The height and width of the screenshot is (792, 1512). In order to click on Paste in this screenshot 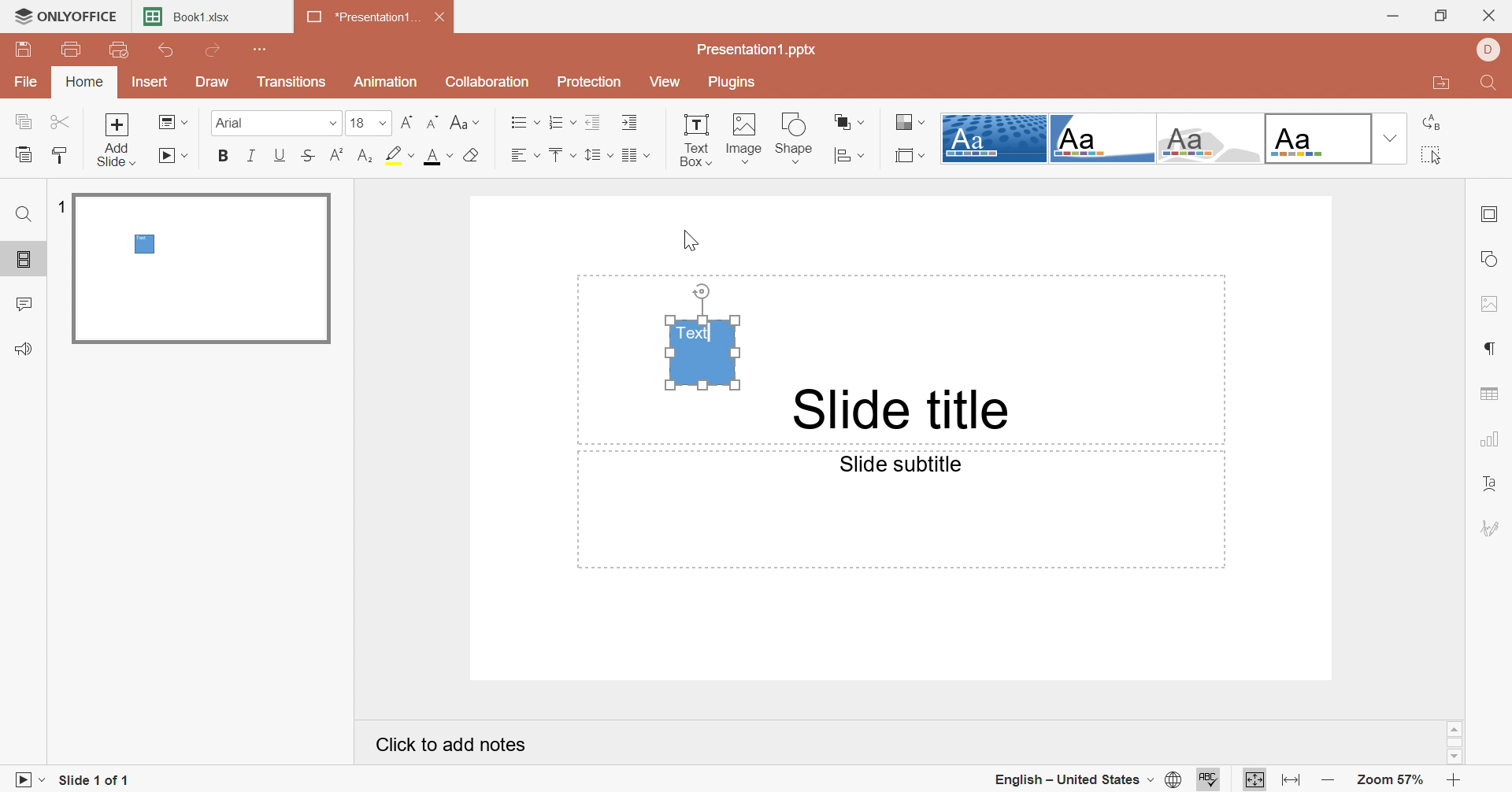, I will do `click(23, 156)`.